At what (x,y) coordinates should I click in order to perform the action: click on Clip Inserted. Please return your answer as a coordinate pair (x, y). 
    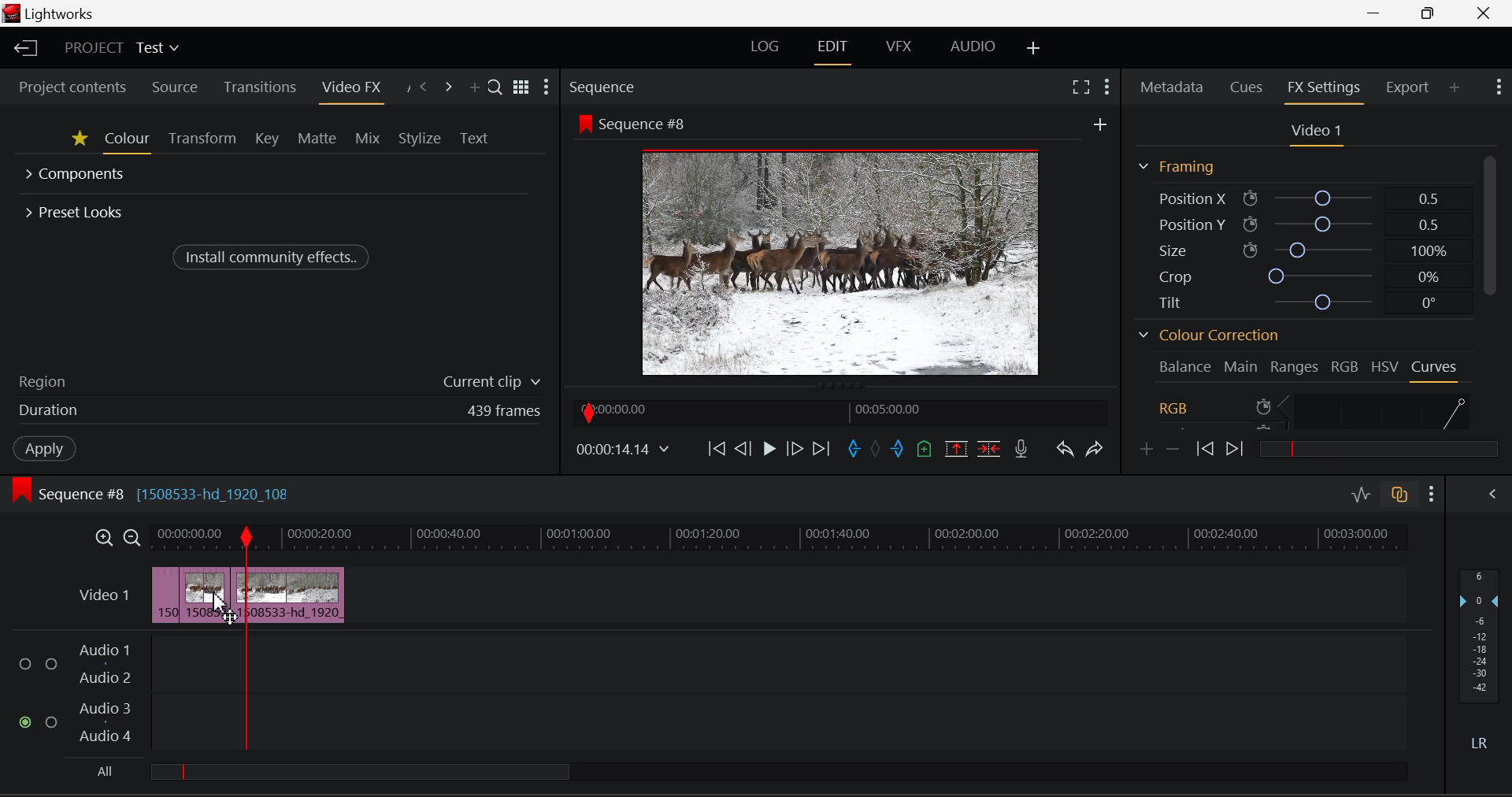
    Looking at the image, I should click on (246, 595).